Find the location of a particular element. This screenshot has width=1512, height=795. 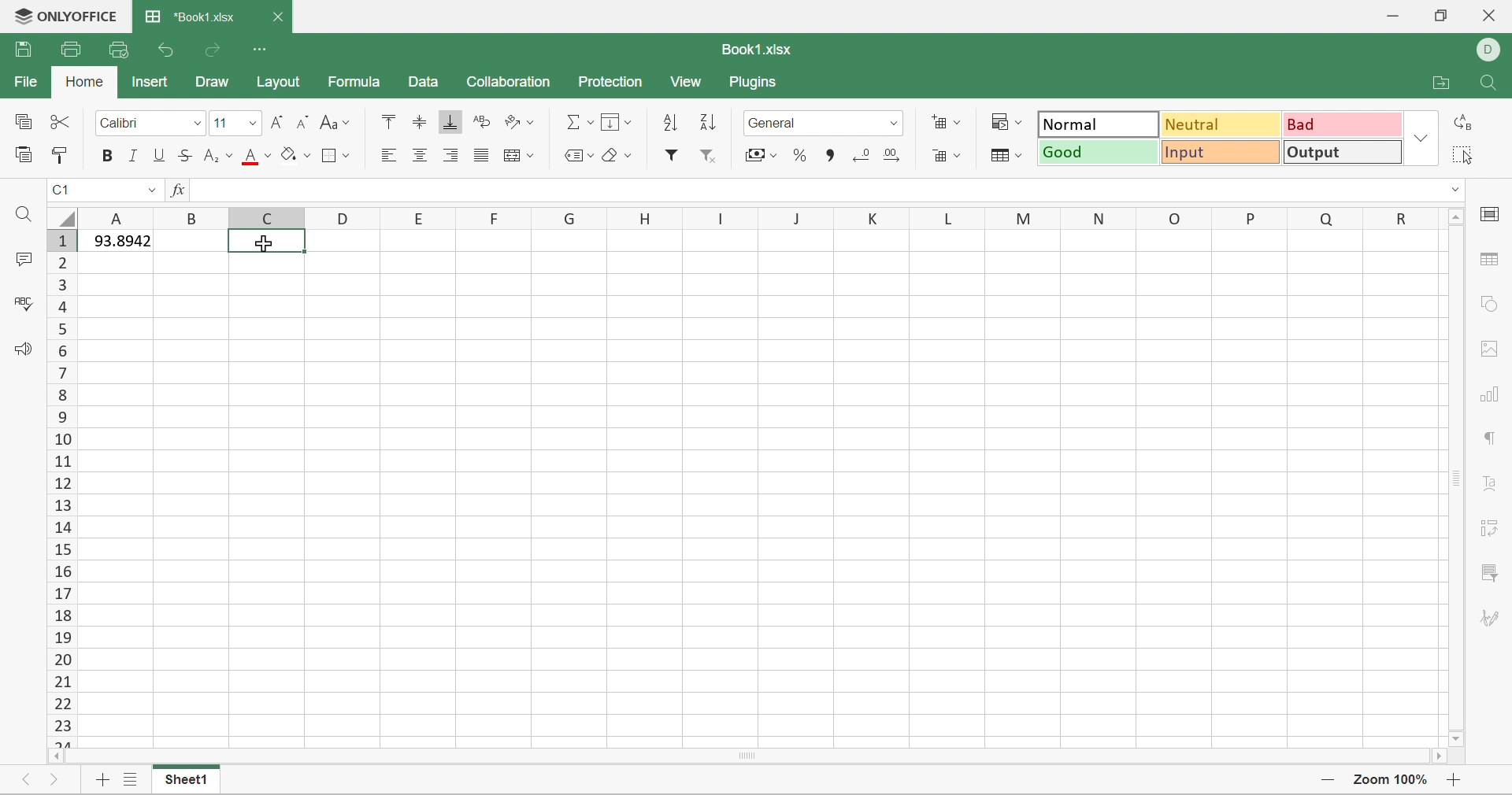

General is located at coordinates (777, 123).